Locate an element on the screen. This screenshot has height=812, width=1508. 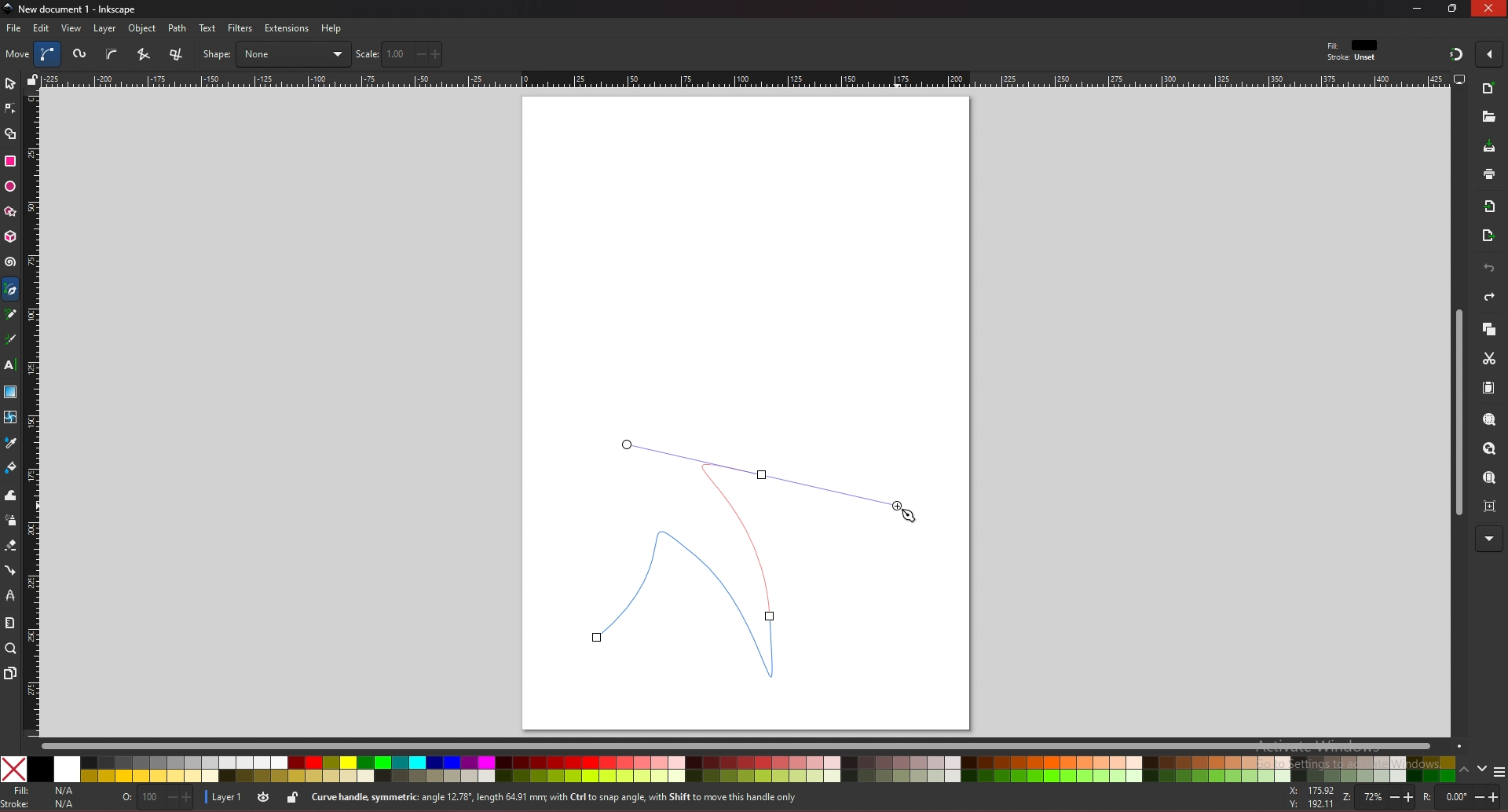
info is located at coordinates (588, 798).